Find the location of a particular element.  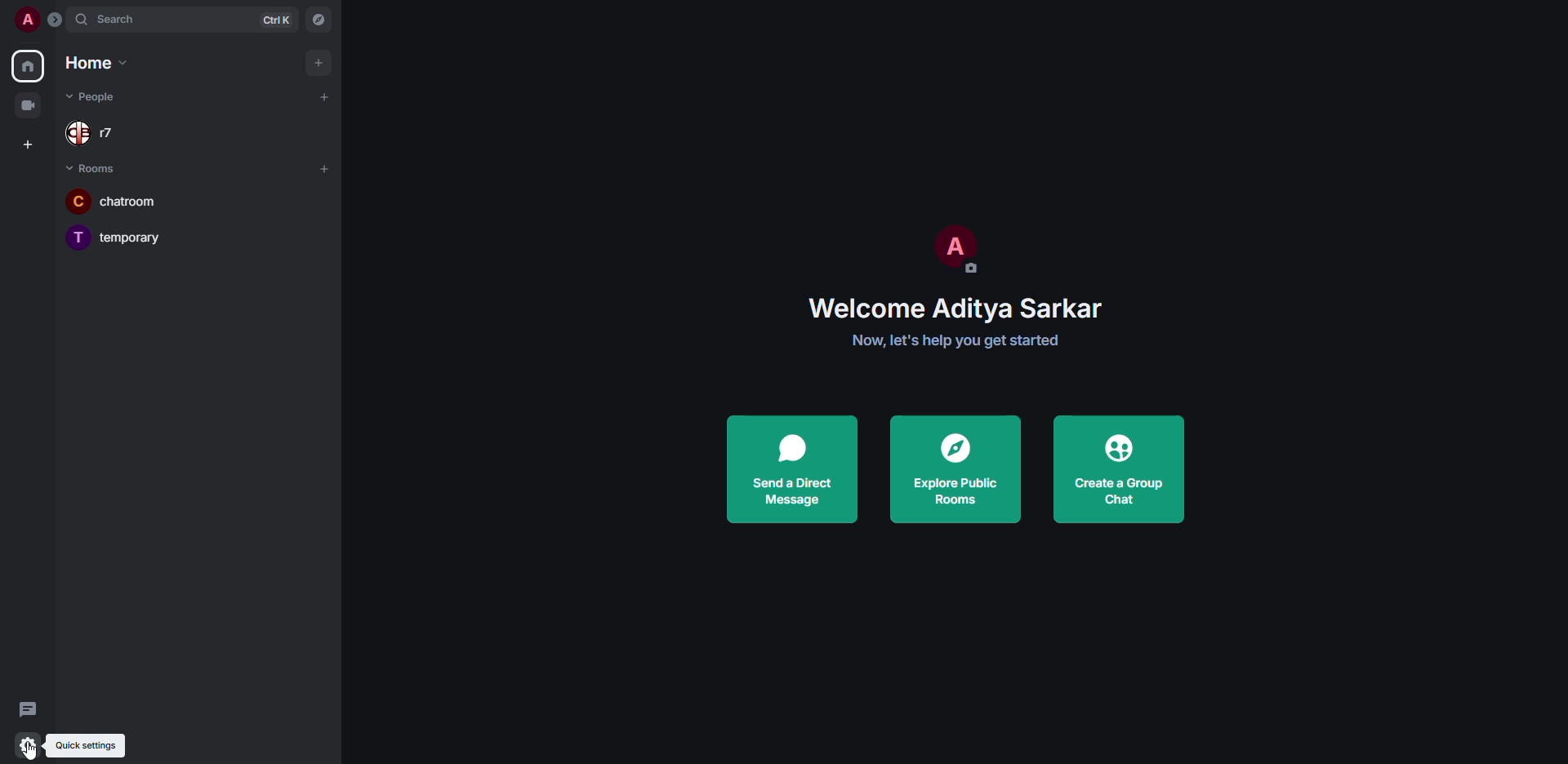

search is located at coordinates (127, 19).